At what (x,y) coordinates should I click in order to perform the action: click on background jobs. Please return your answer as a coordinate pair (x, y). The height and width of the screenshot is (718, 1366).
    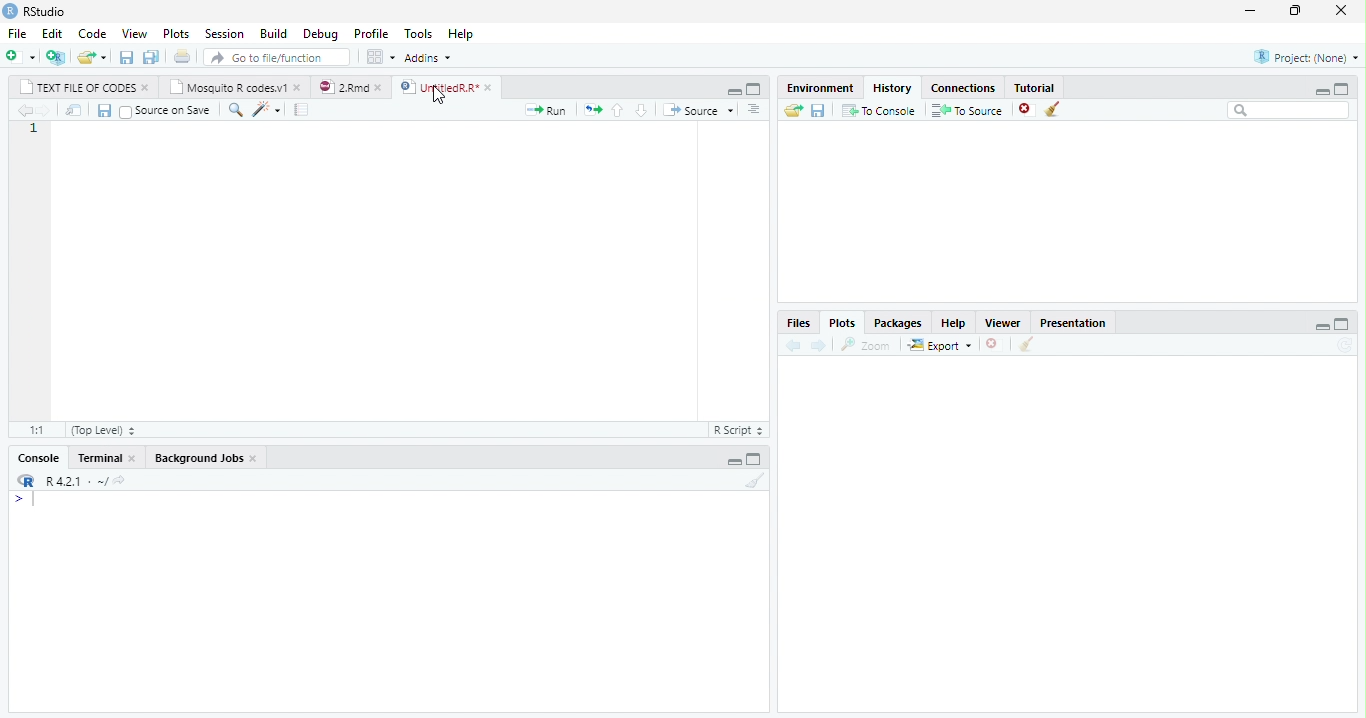
    Looking at the image, I should click on (198, 457).